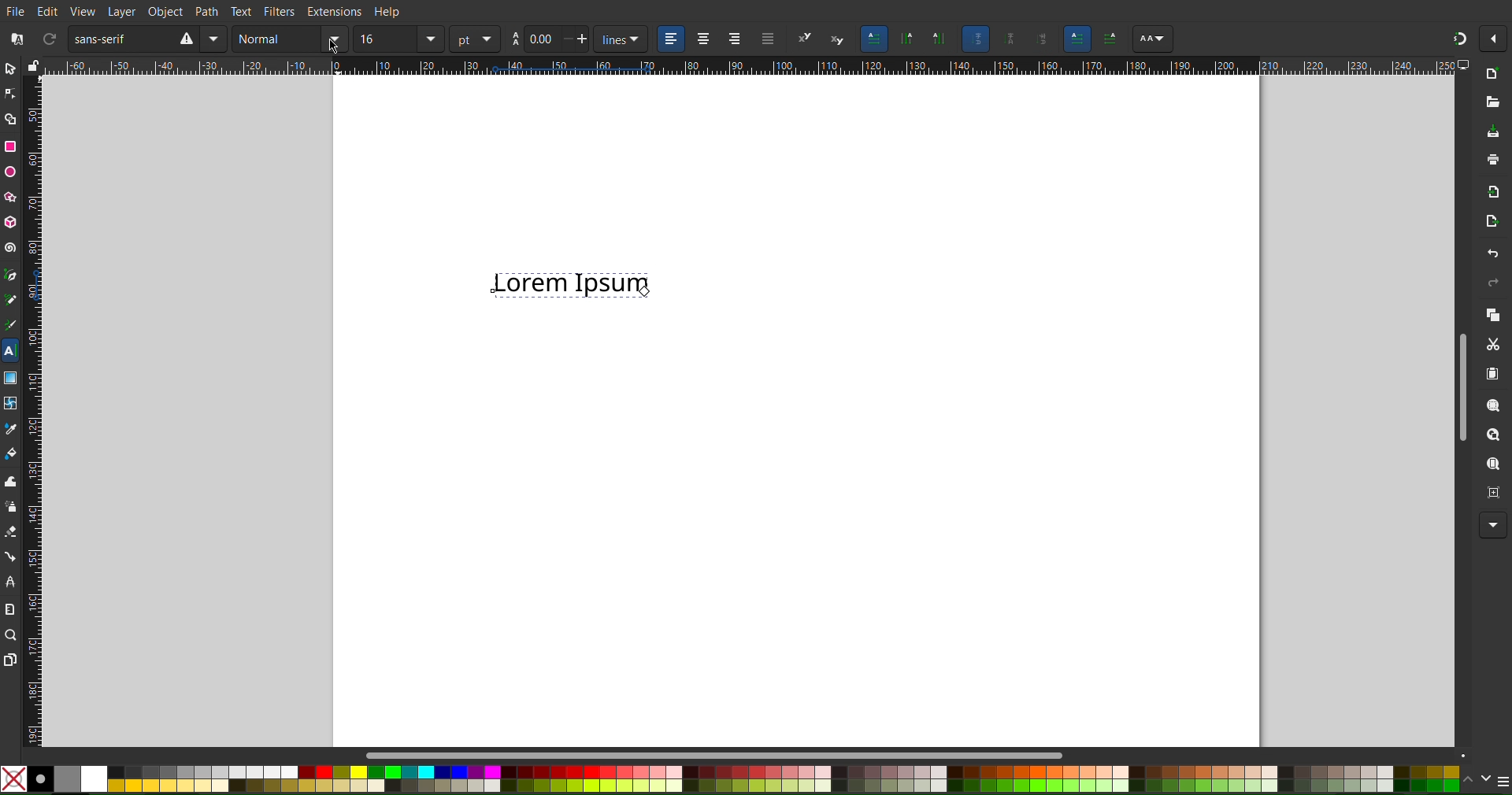  Describe the element at coordinates (1494, 346) in the screenshot. I see `Cut` at that location.